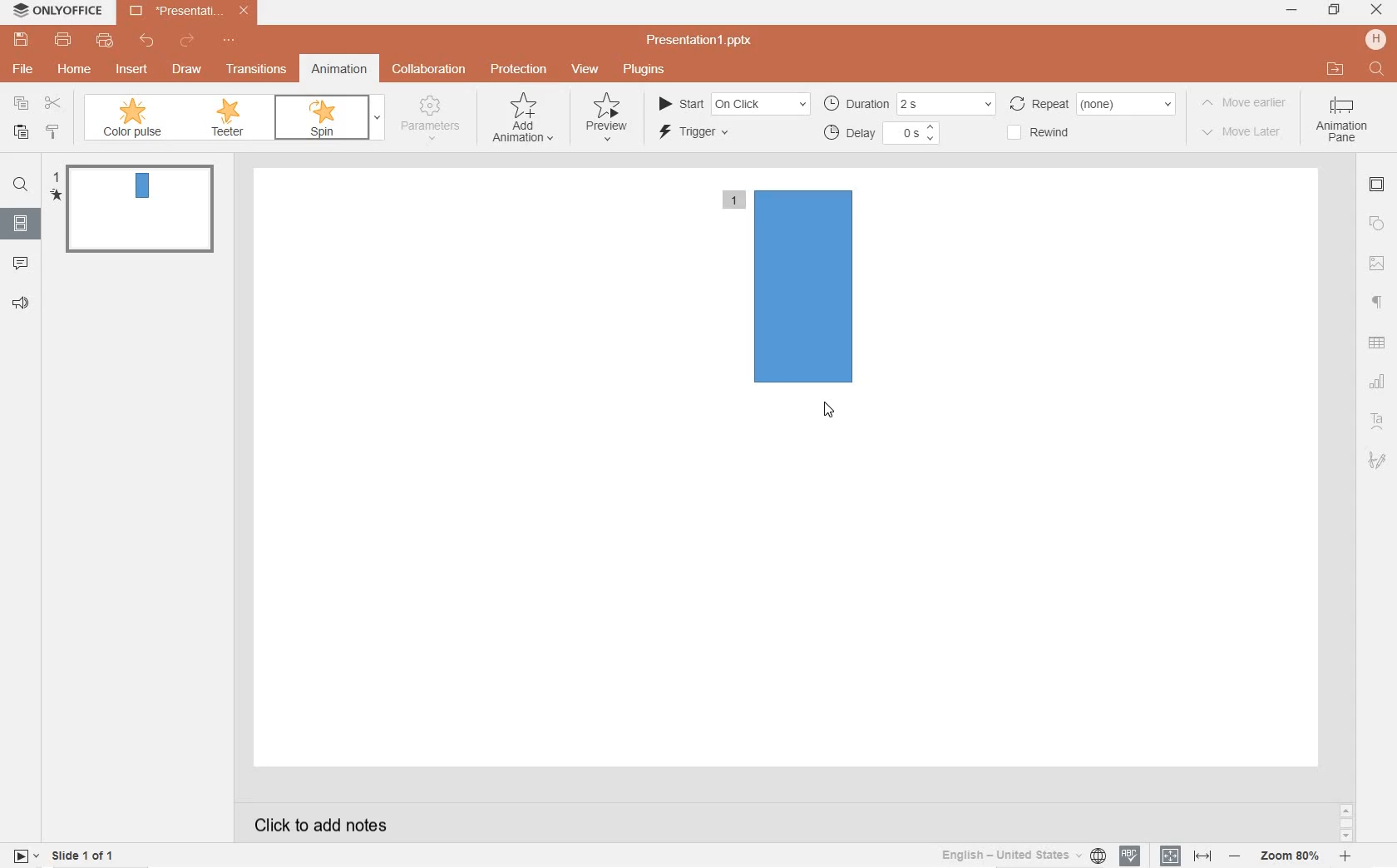 The height and width of the screenshot is (868, 1397). Describe the element at coordinates (22, 103) in the screenshot. I see `copy` at that location.